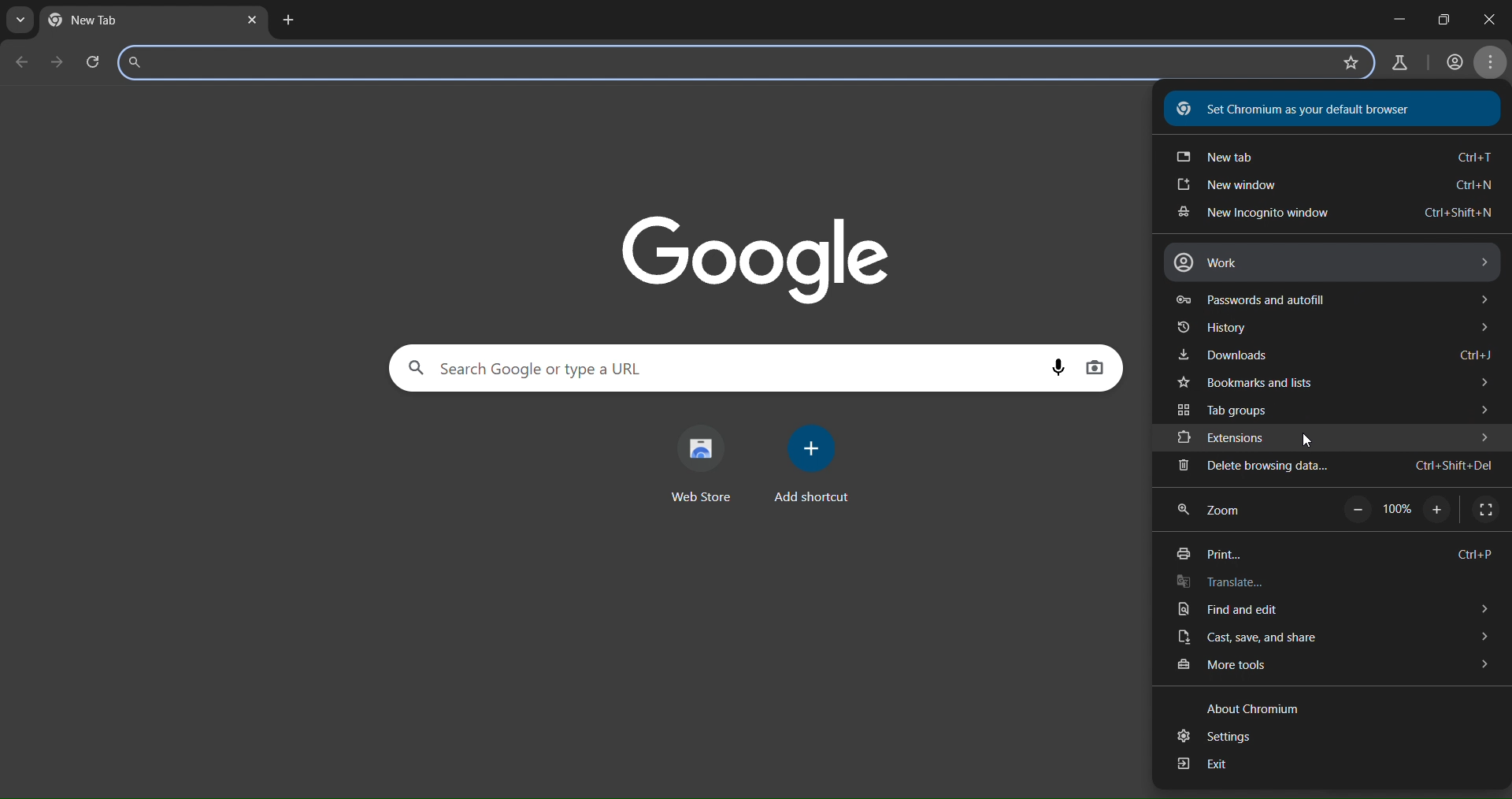 The height and width of the screenshot is (799, 1512). I want to click on exit, so click(1213, 765).